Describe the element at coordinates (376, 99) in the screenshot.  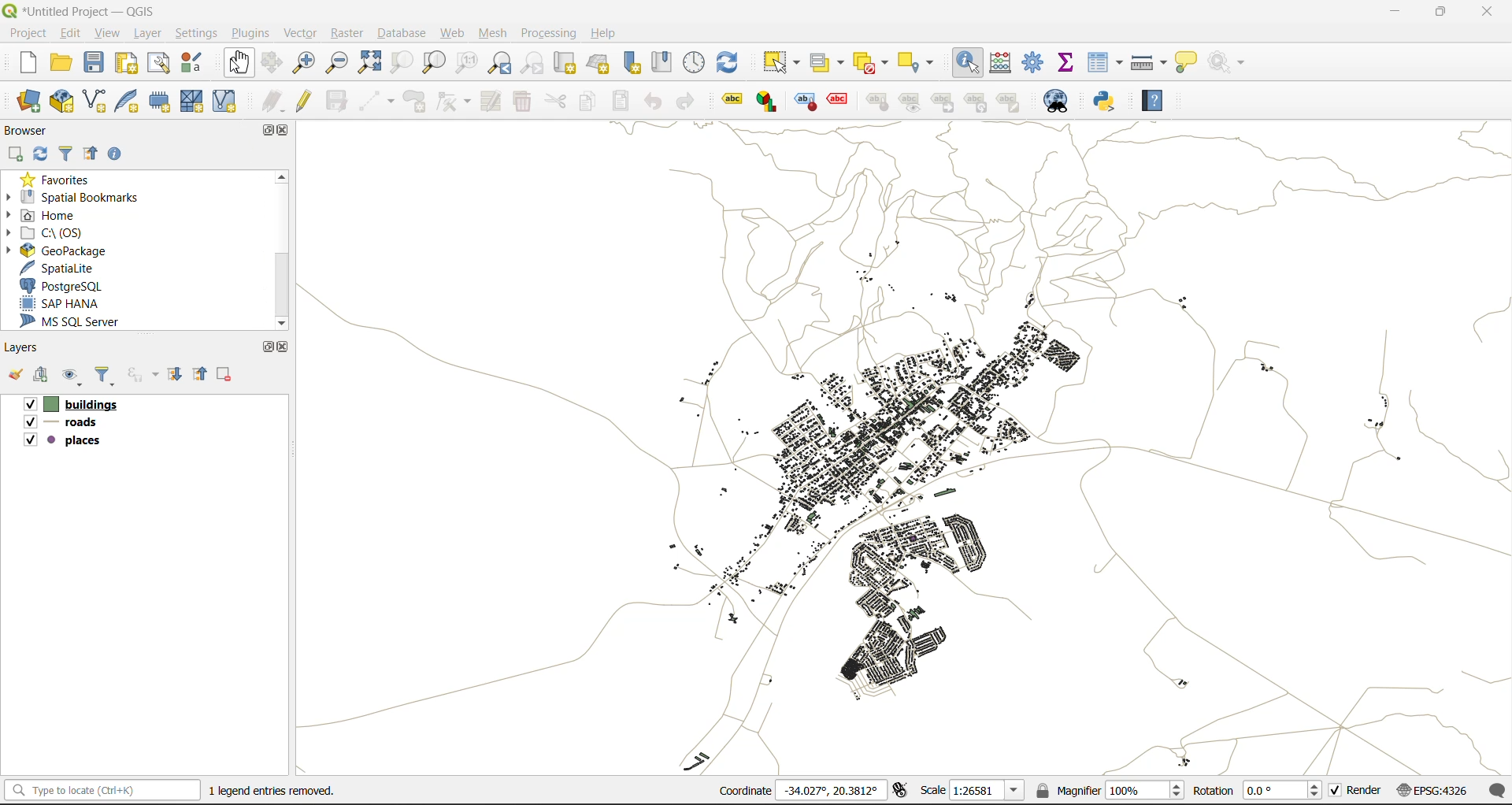
I see `digitize` at that location.